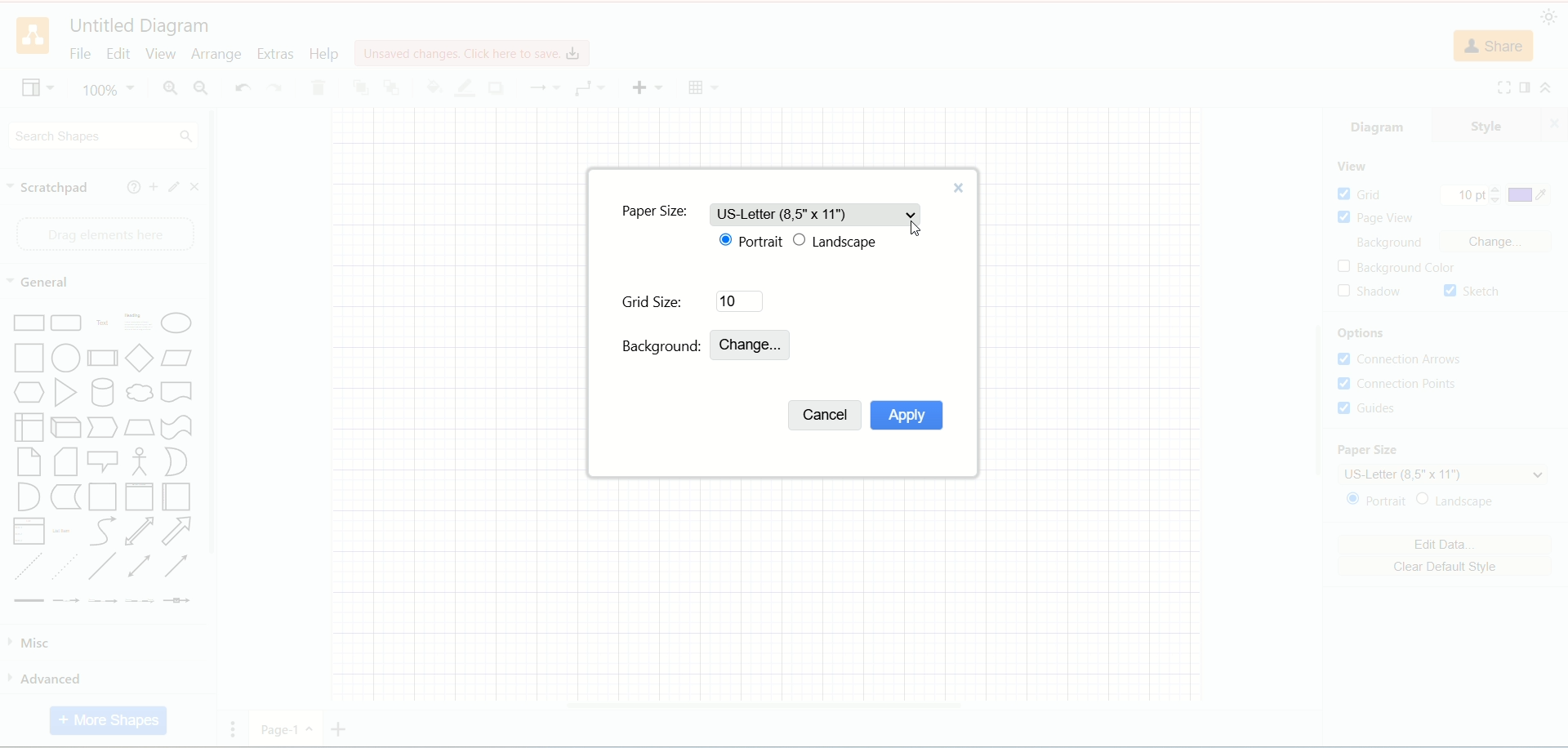 The image size is (1568, 748). What do you see at coordinates (1369, 407) in the screenshot?
I see `guides` at bounding box center [1369, 407].